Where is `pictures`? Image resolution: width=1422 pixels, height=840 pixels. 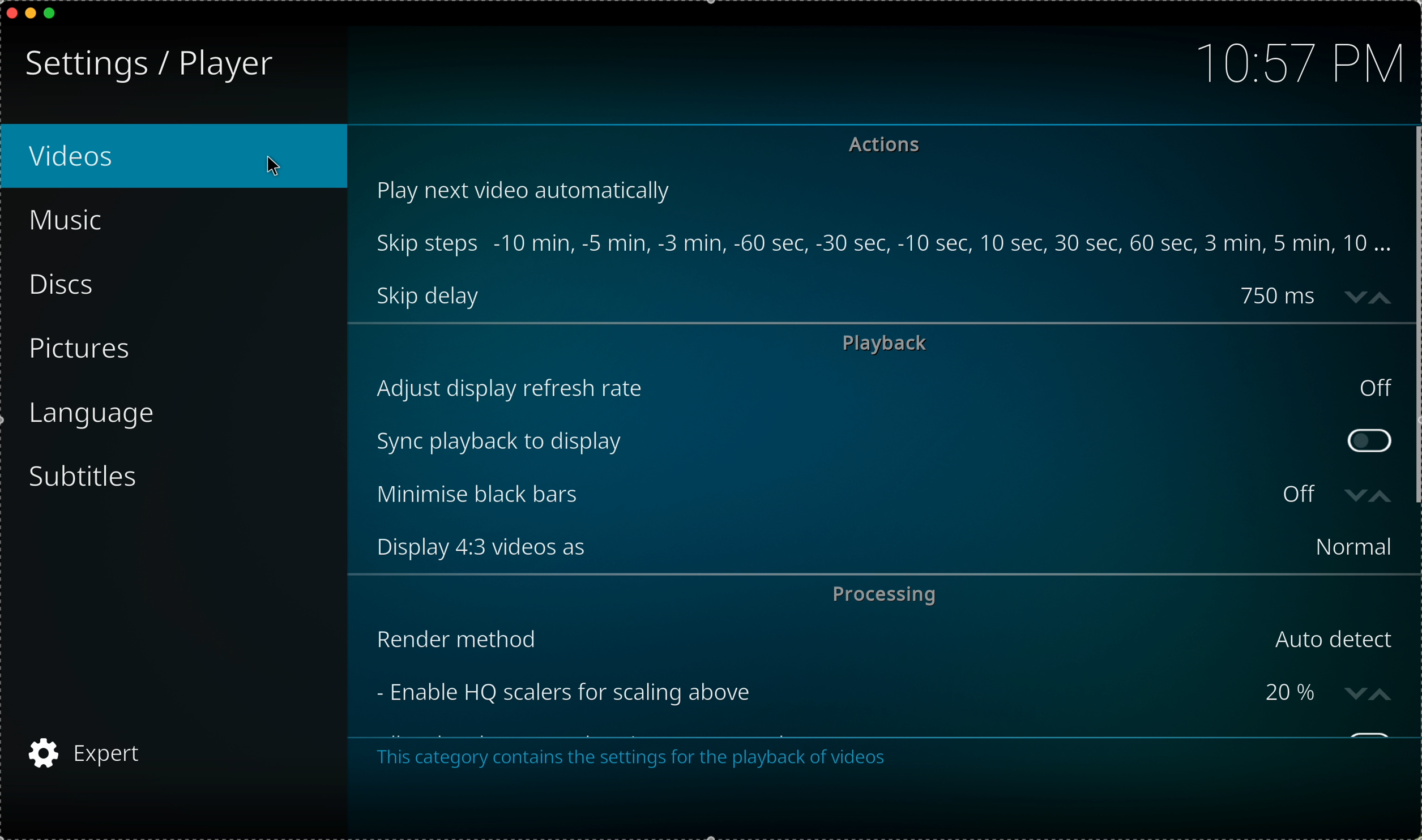 pictures is located at coordinates (84, 351).